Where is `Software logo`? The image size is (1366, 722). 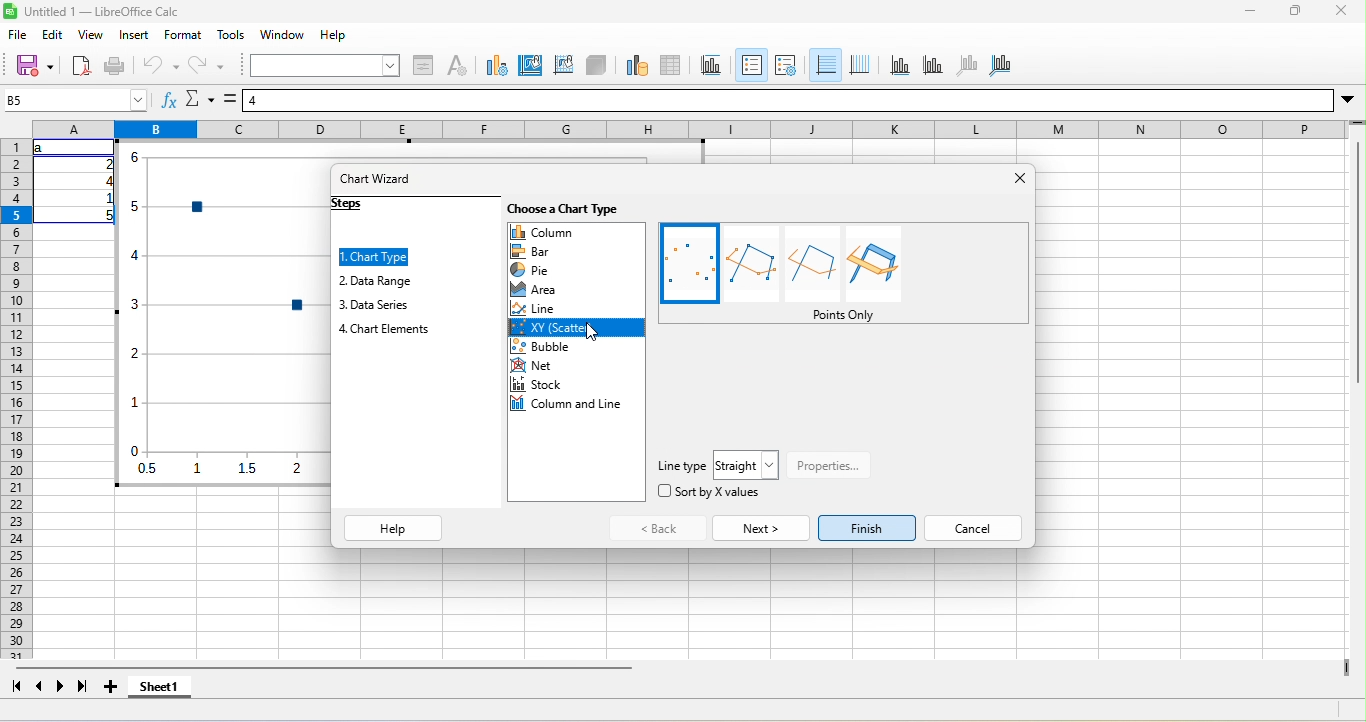 Software logo is located at coordinates (10, 11).